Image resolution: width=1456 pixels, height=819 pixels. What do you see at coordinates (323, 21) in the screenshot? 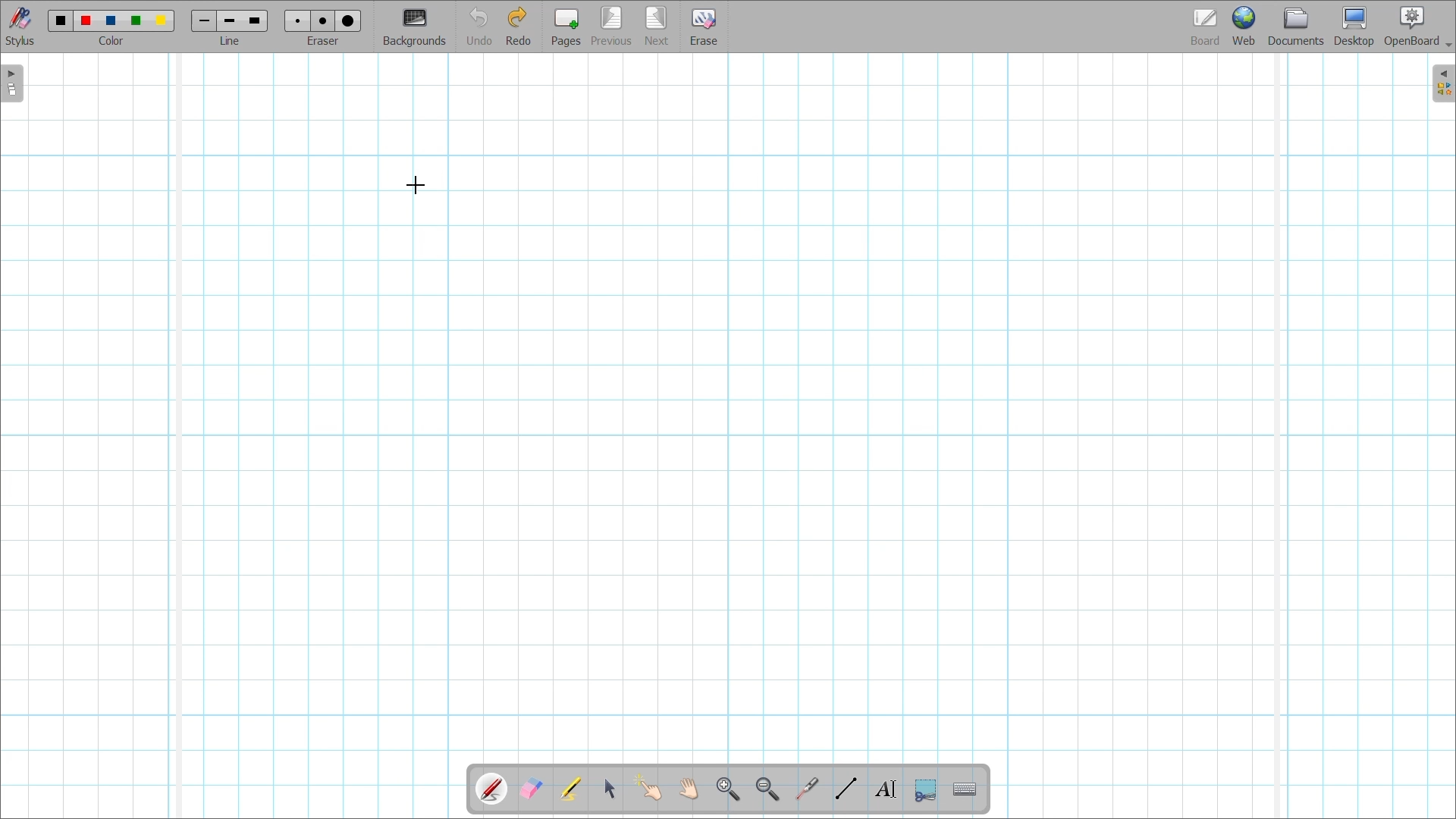
I see `Eraser thickness options` at bounding box center [323, 21].